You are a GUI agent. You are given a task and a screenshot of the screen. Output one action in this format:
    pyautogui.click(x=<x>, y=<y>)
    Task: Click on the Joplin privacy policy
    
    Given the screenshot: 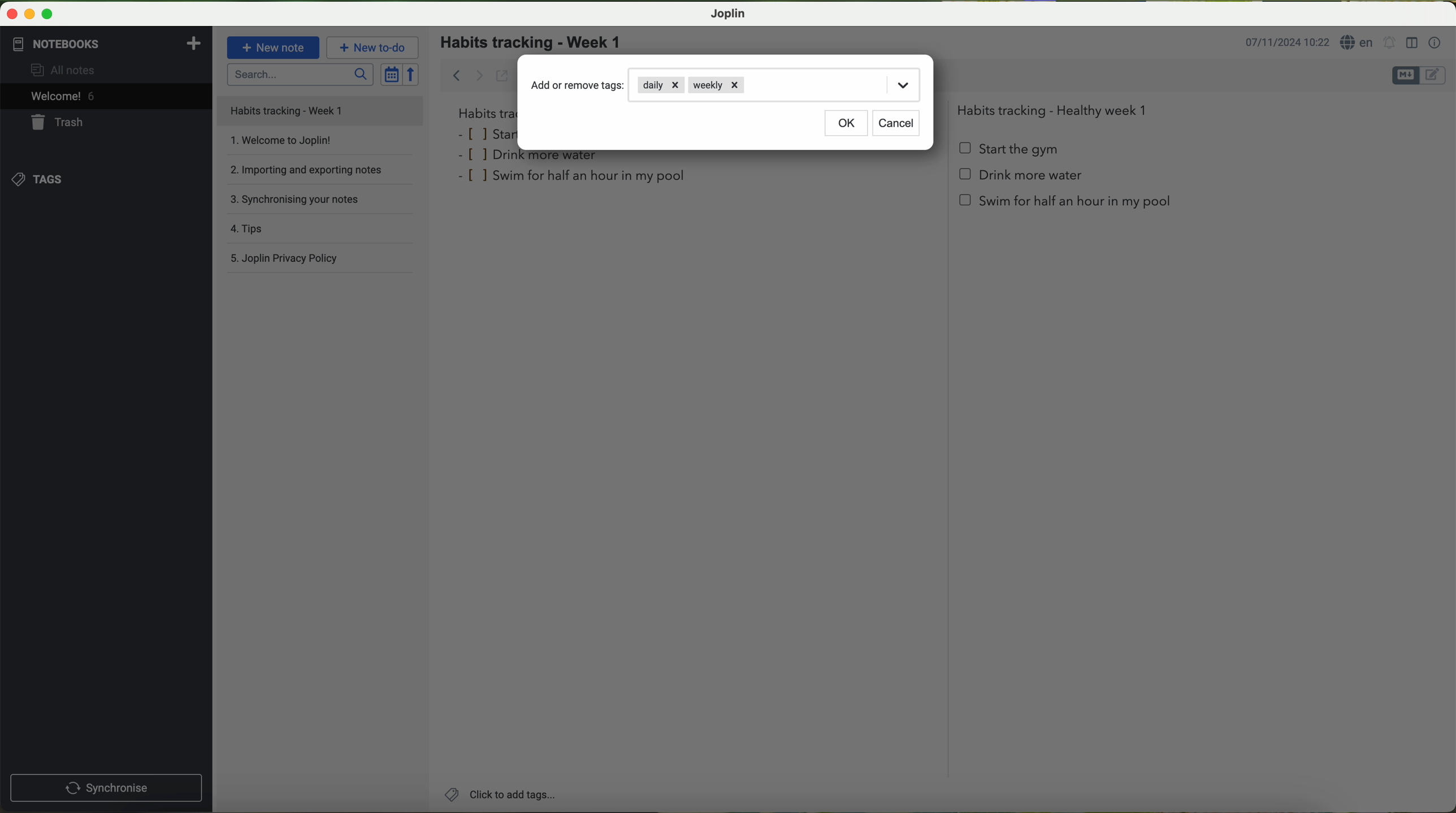 What is the action you would take?
    pyautogui.click(x=321, y=260)
    